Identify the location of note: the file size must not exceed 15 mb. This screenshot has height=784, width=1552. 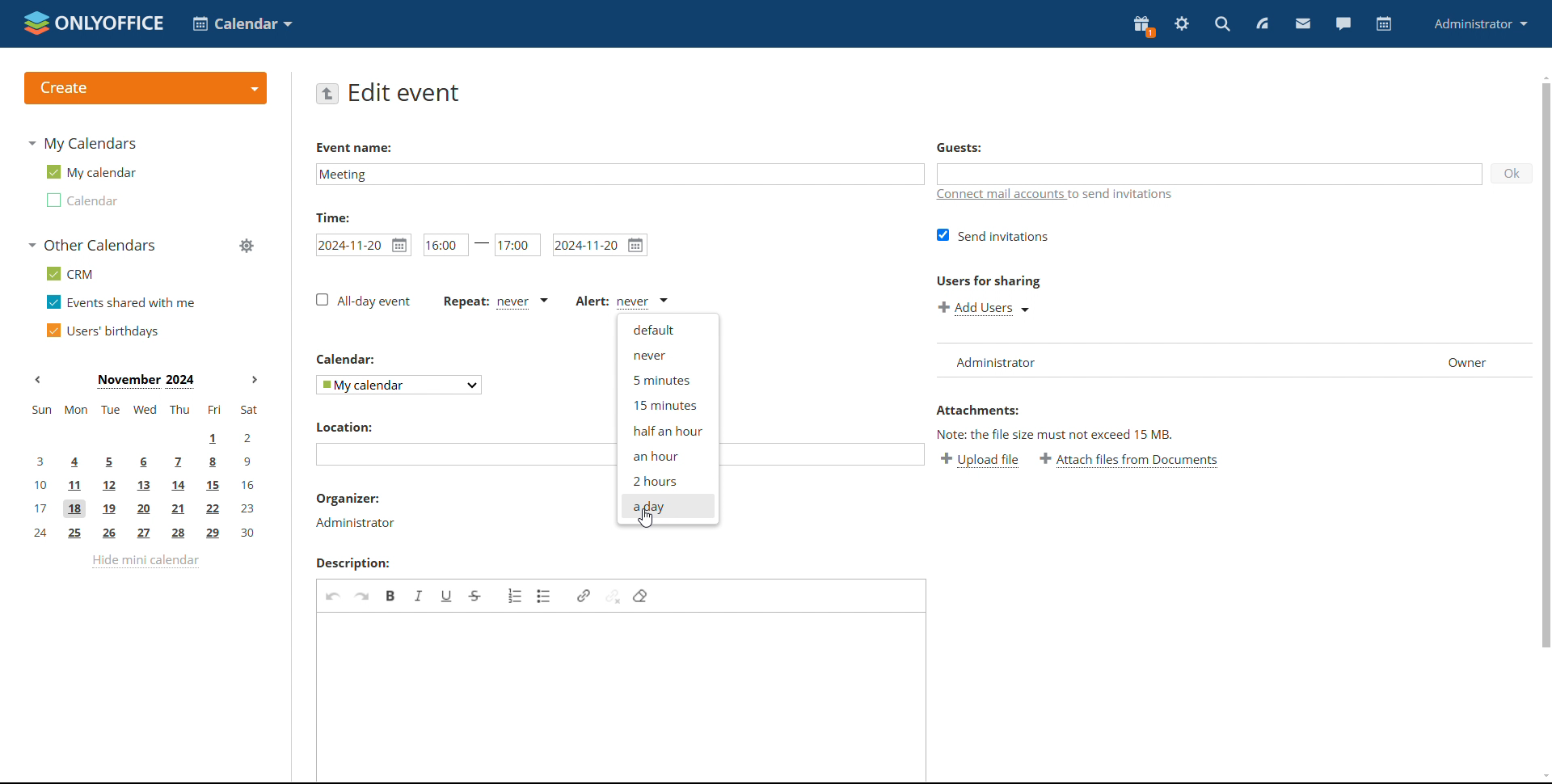
(1056, 435).